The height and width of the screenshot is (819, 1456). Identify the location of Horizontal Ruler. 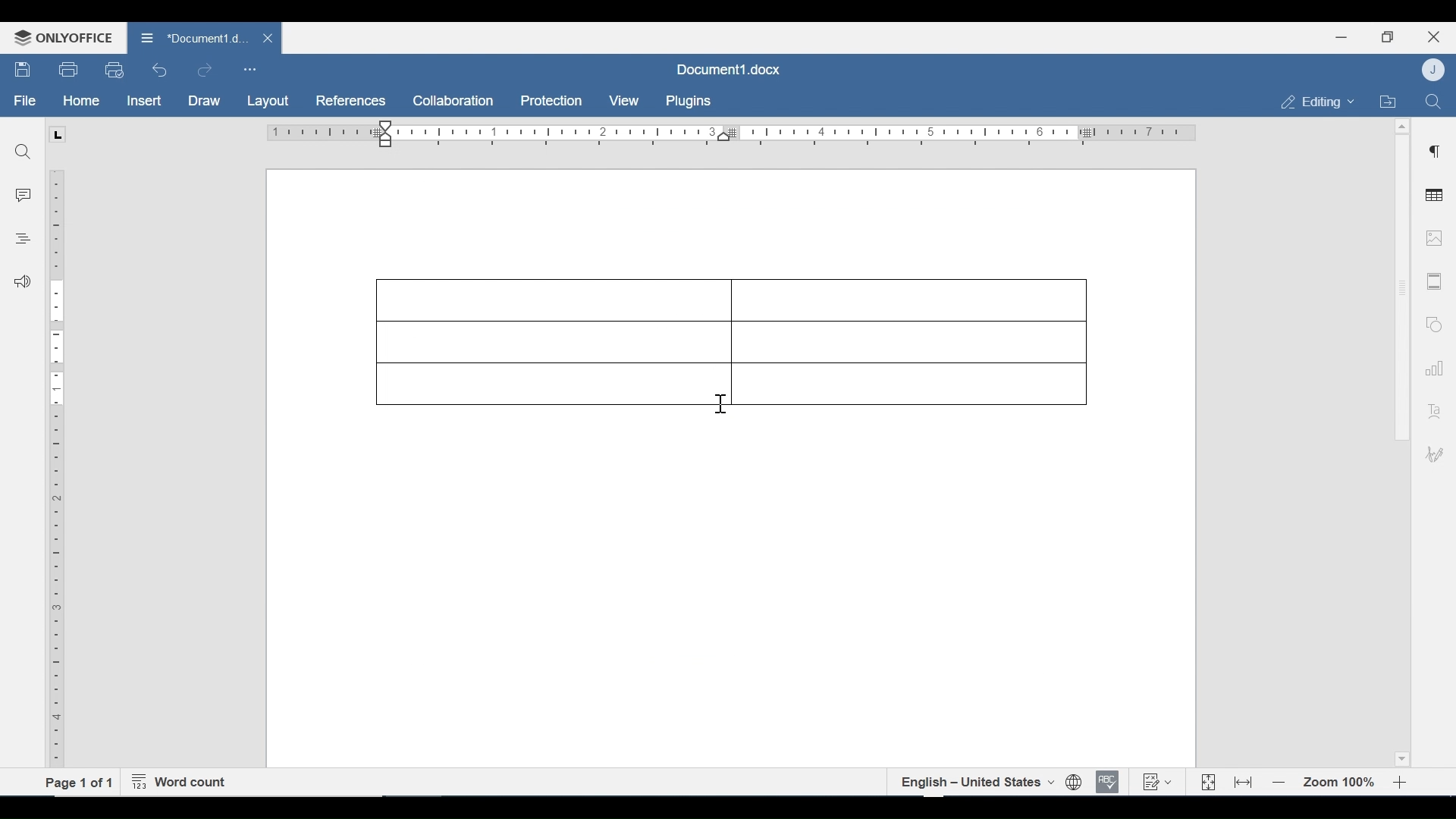
(730, 133).